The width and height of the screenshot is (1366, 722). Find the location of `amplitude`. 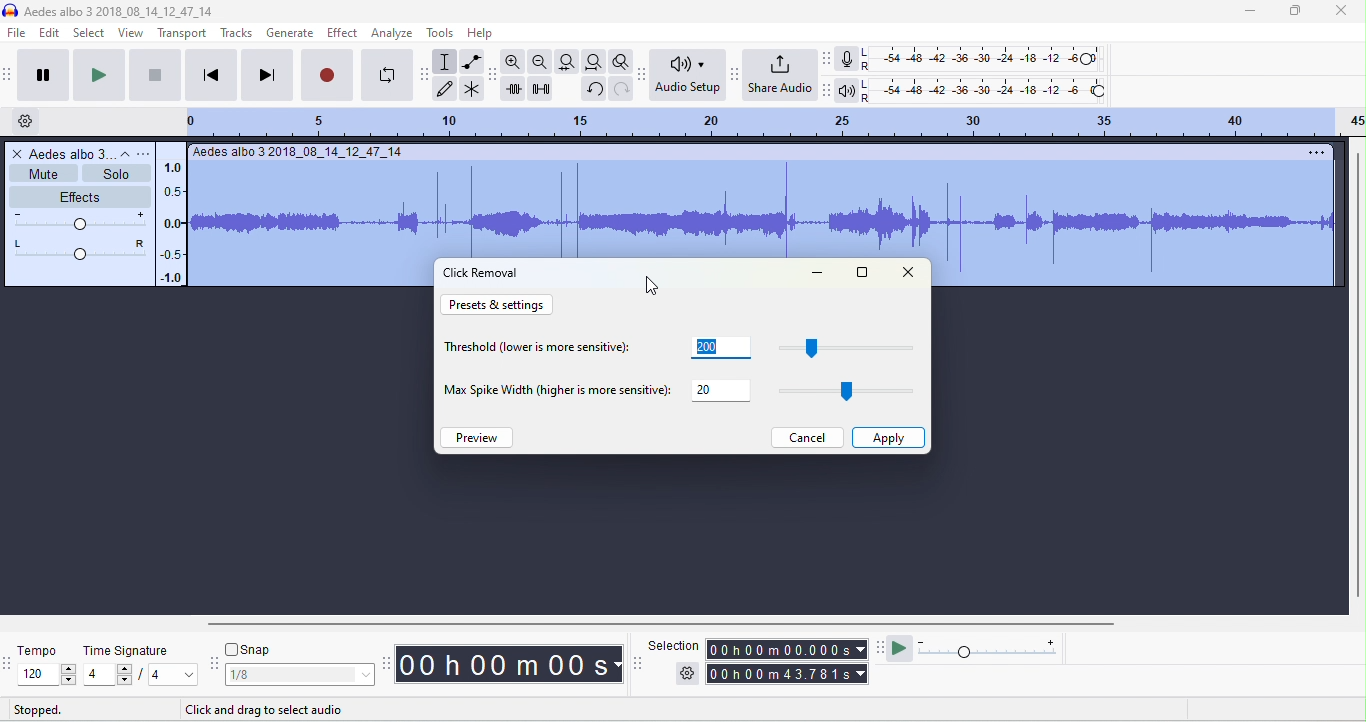

amplitude is located at coordinates (175, 221).